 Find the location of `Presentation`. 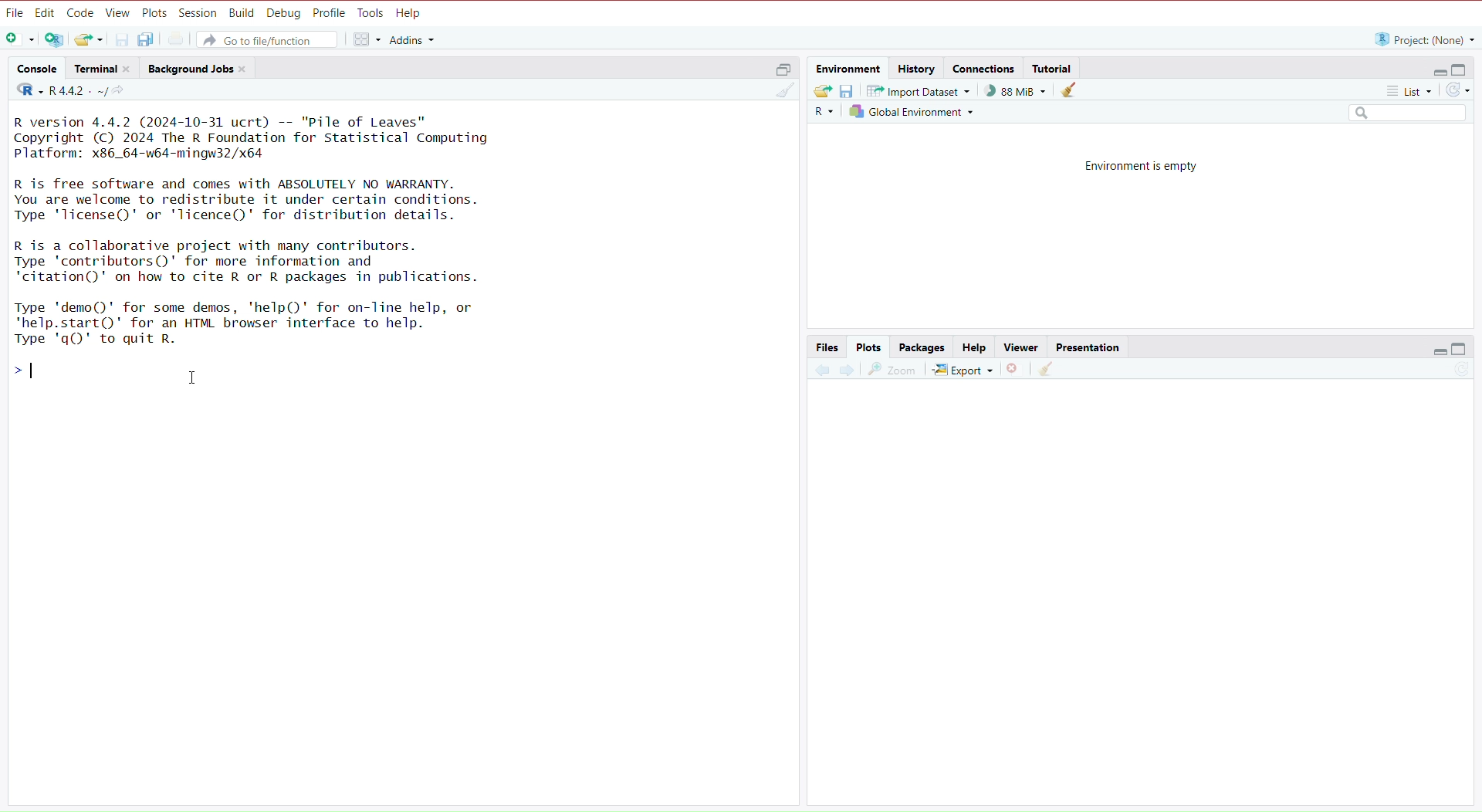

Presentation is located at coordinates (1089, 347).